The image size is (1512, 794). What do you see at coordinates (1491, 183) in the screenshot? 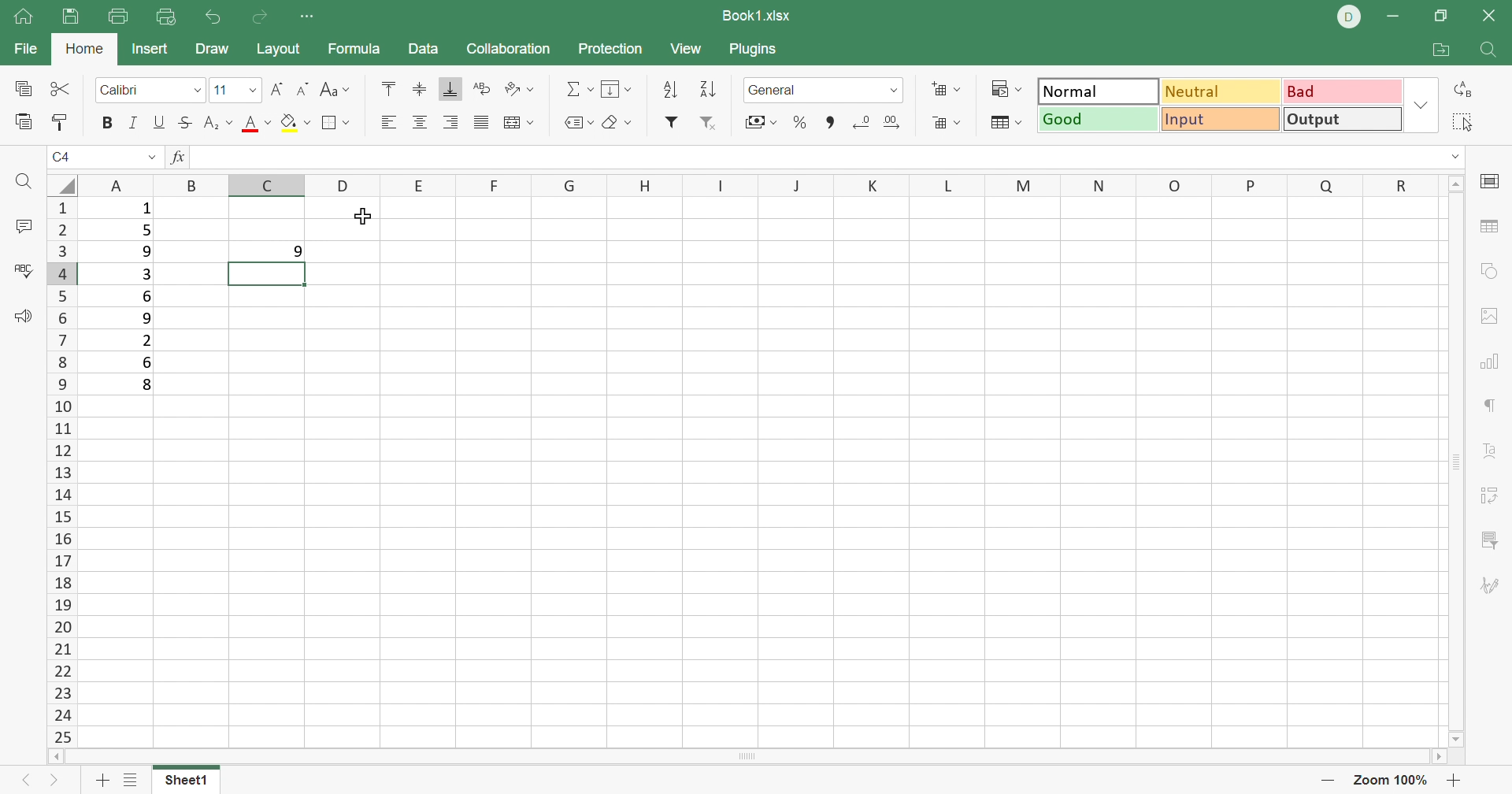
I see `cell settings` at bounding box center [1491, 183].